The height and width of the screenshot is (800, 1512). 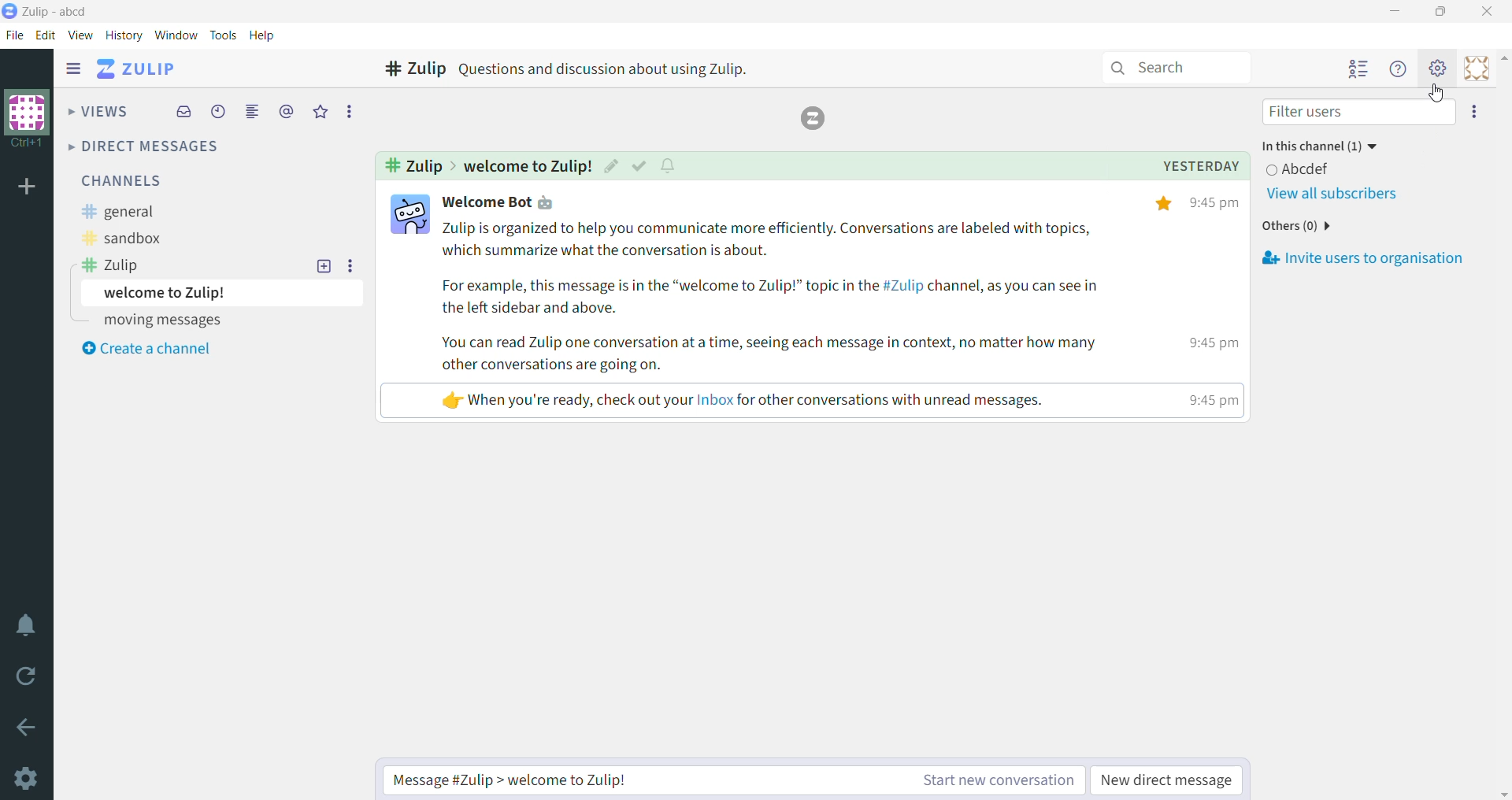 What do you see at coordinates (1439, 68) in the screenshot?
I see `Main Menu` at bounding box center [1439, 68].